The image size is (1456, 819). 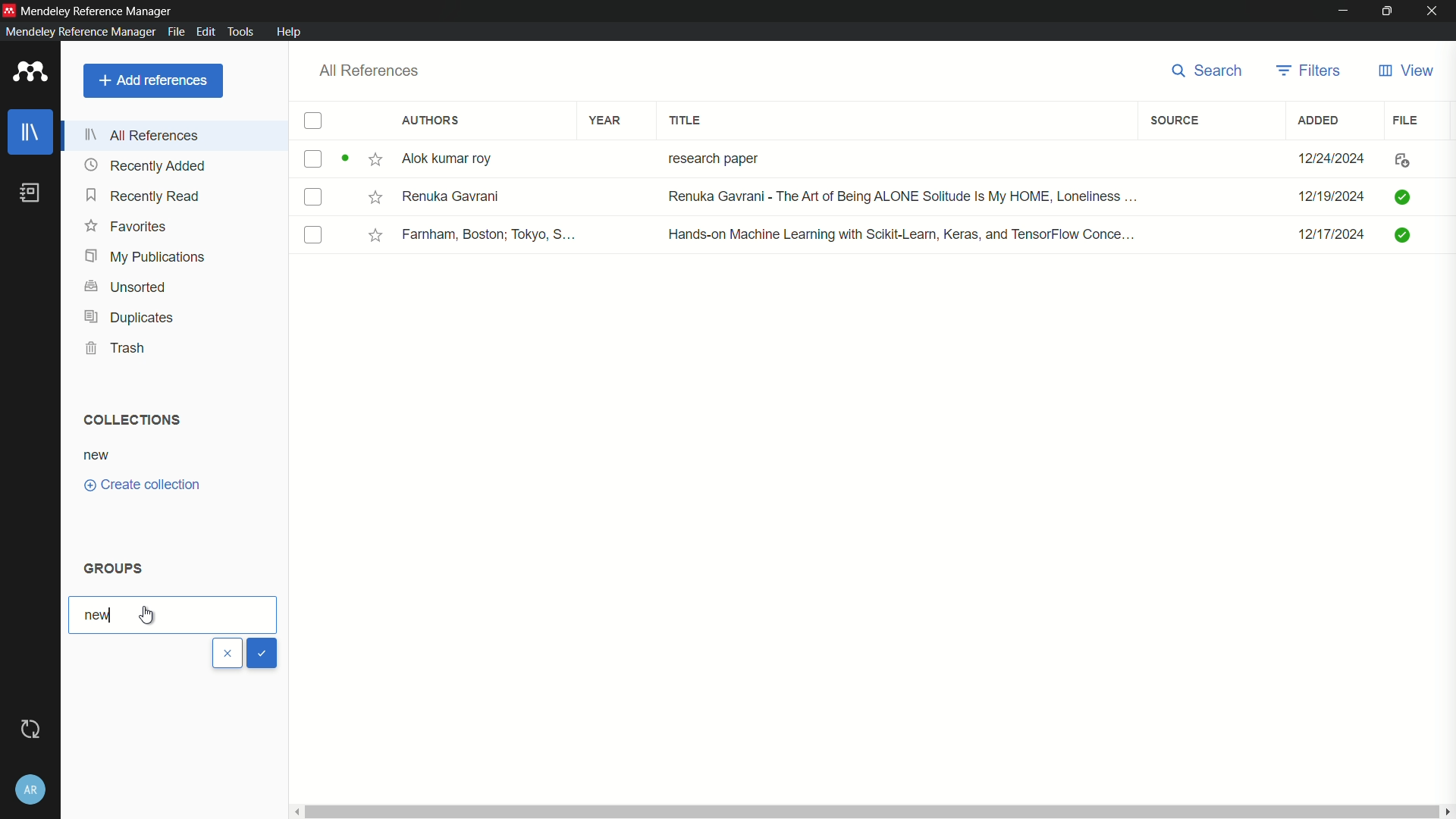 What do you see at coordinates (897, 198) in the screenshot?
I see `Renuka gavrani - The Artn of...` at bounding box center [897, 198].